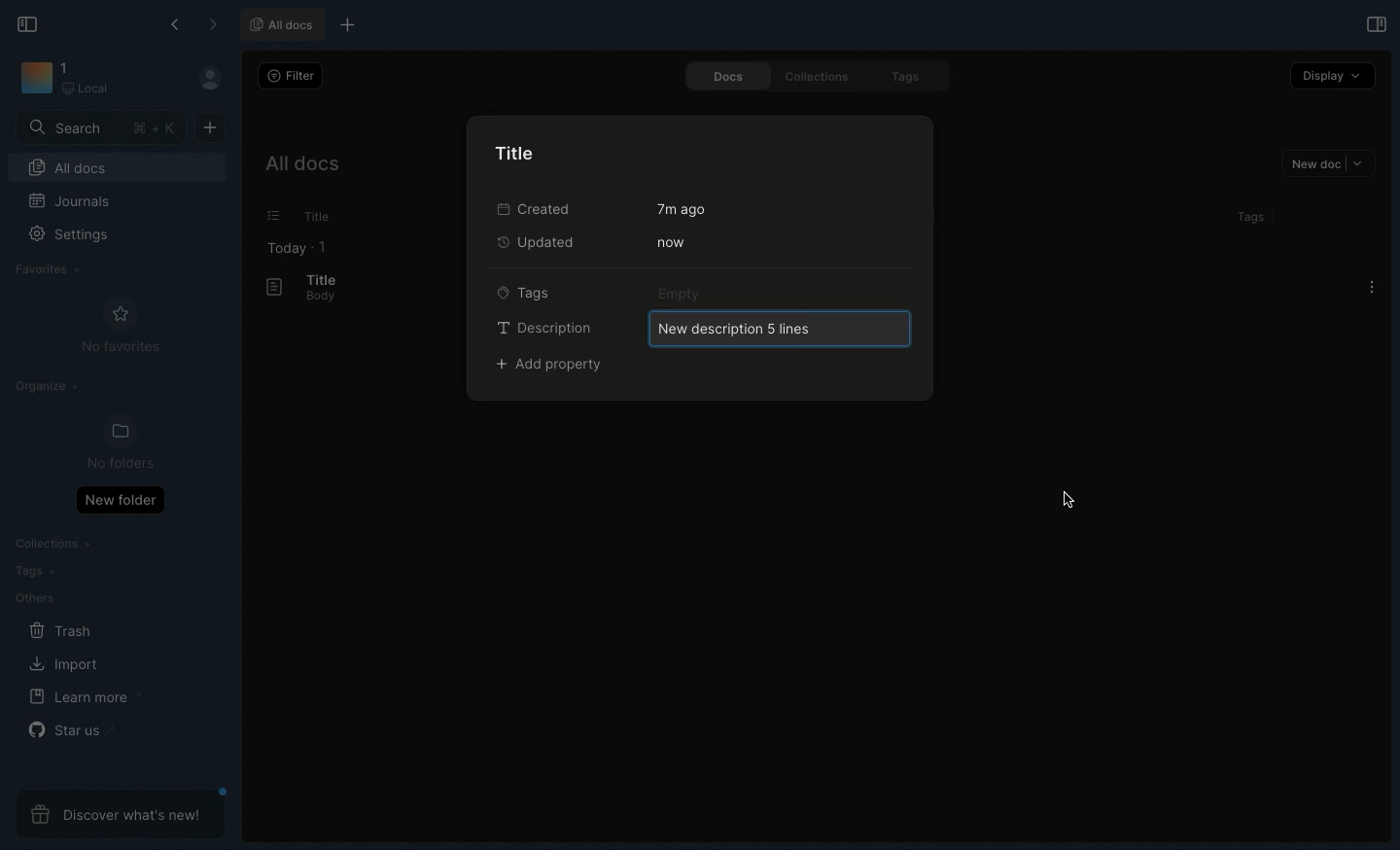  What do you see at coordinates (34, 598) in the screenshot?
I see `Others` at bounding box center [34, 598].